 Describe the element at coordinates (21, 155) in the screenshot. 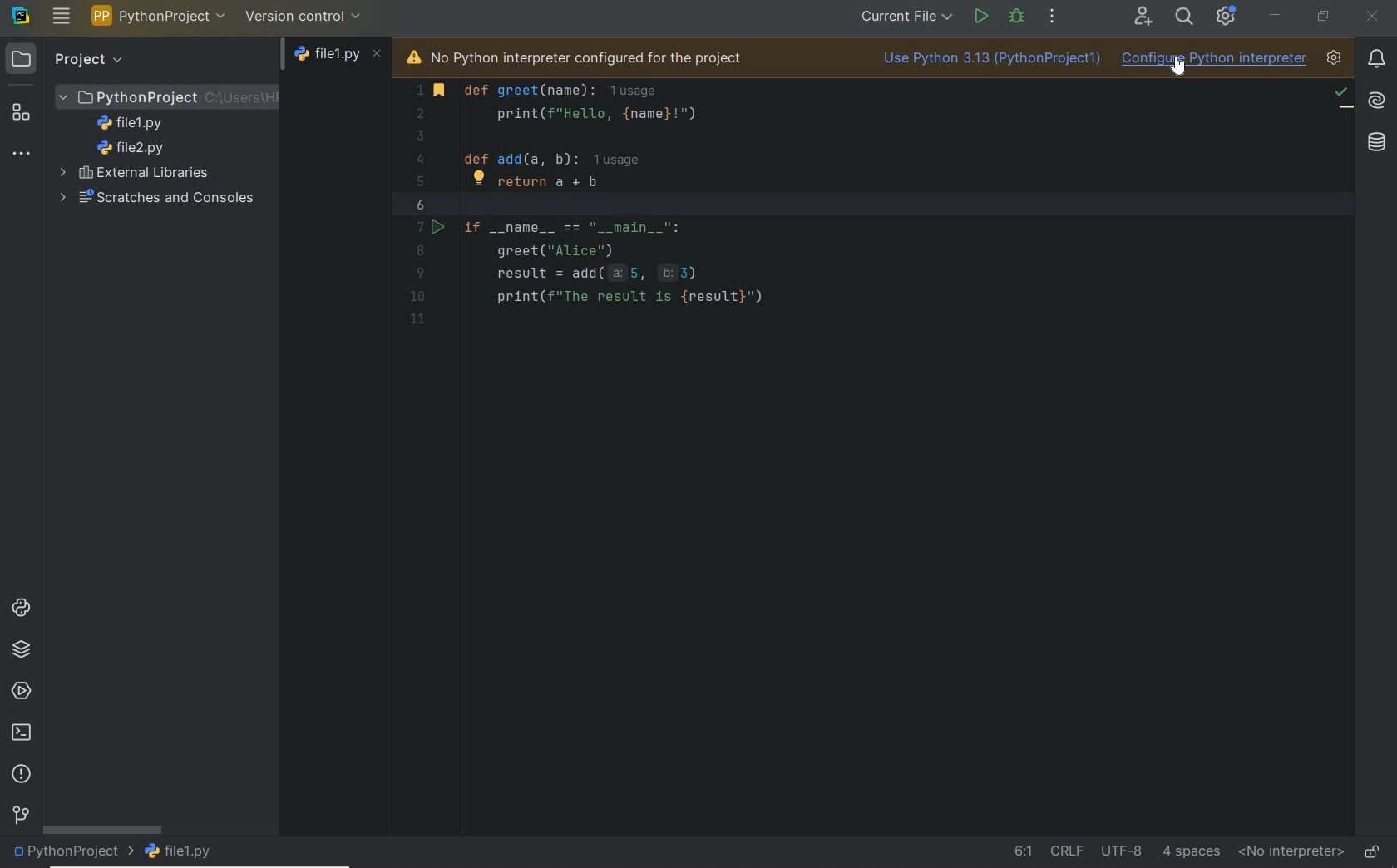

I see `more tool windows` at that location.